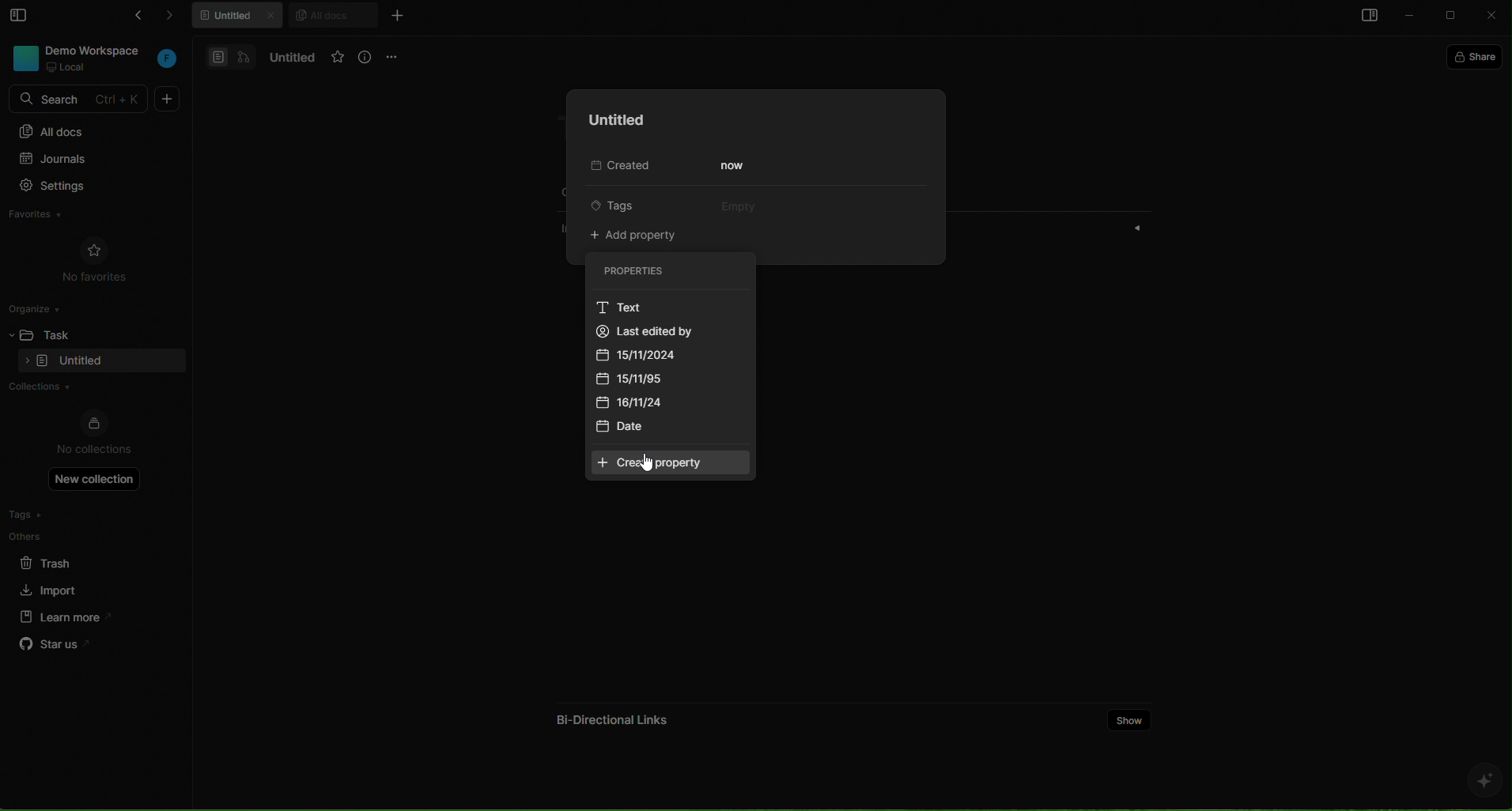 This screenshot has height=811, width=1512. Describe the element at coordinates (1478, 55) in the screenshot. I see `share` at that location.